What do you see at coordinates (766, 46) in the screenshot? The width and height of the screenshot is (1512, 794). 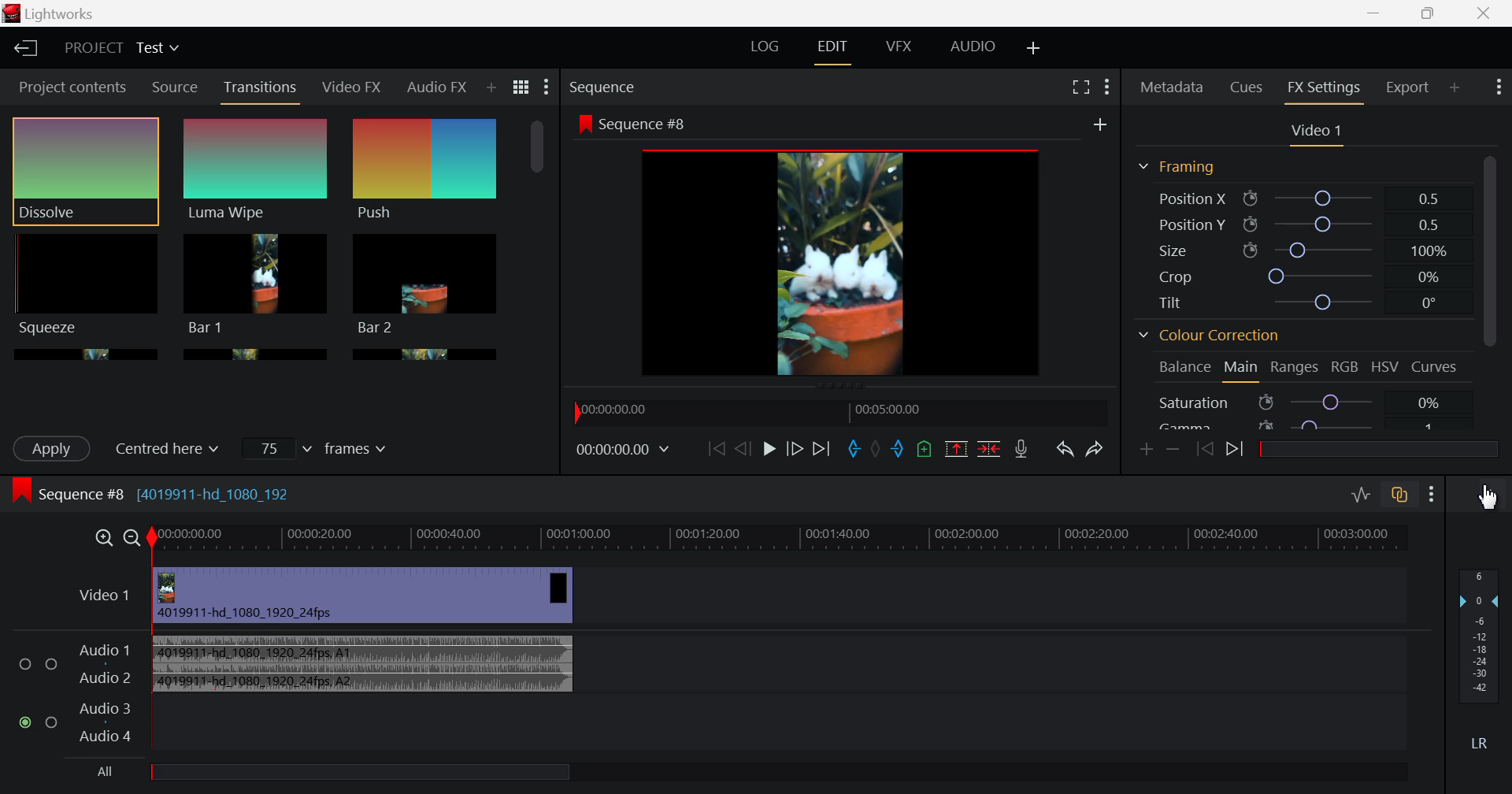 I see `LOG Layout` at bounding box center [766, 46].